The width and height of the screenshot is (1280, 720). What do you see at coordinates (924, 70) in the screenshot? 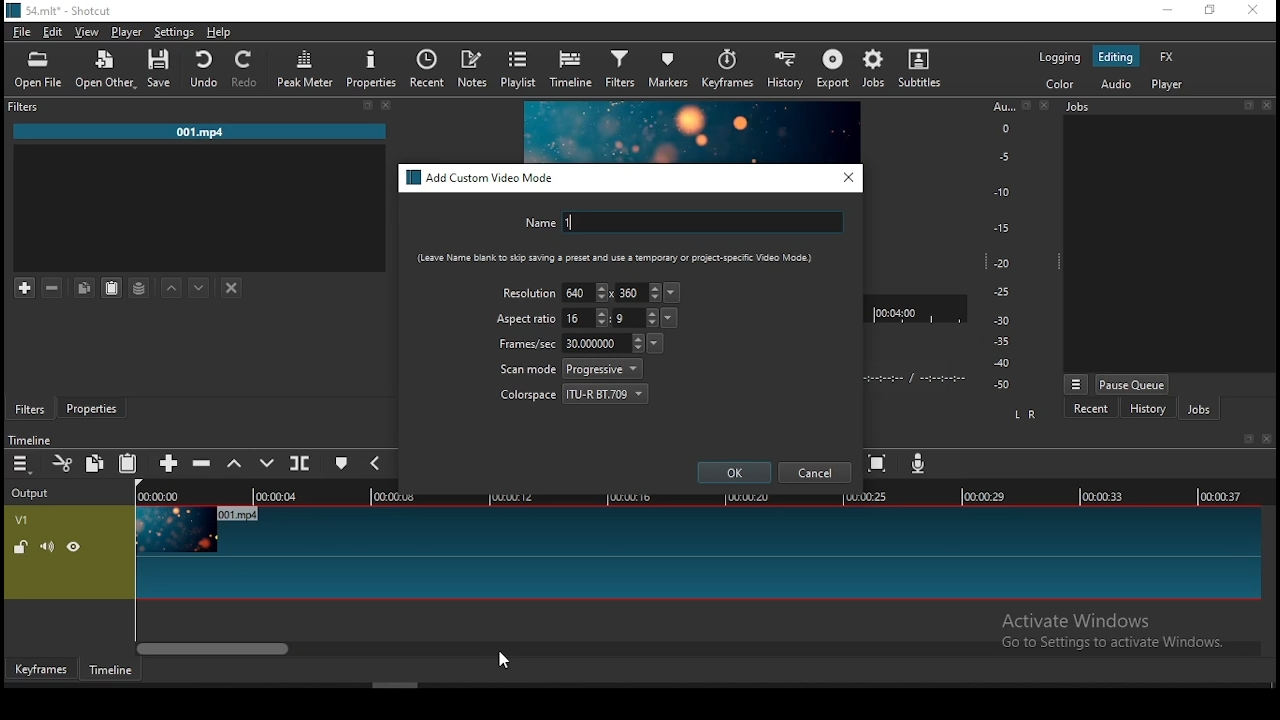
I see `subtitles` at bounding box center [924, 70].